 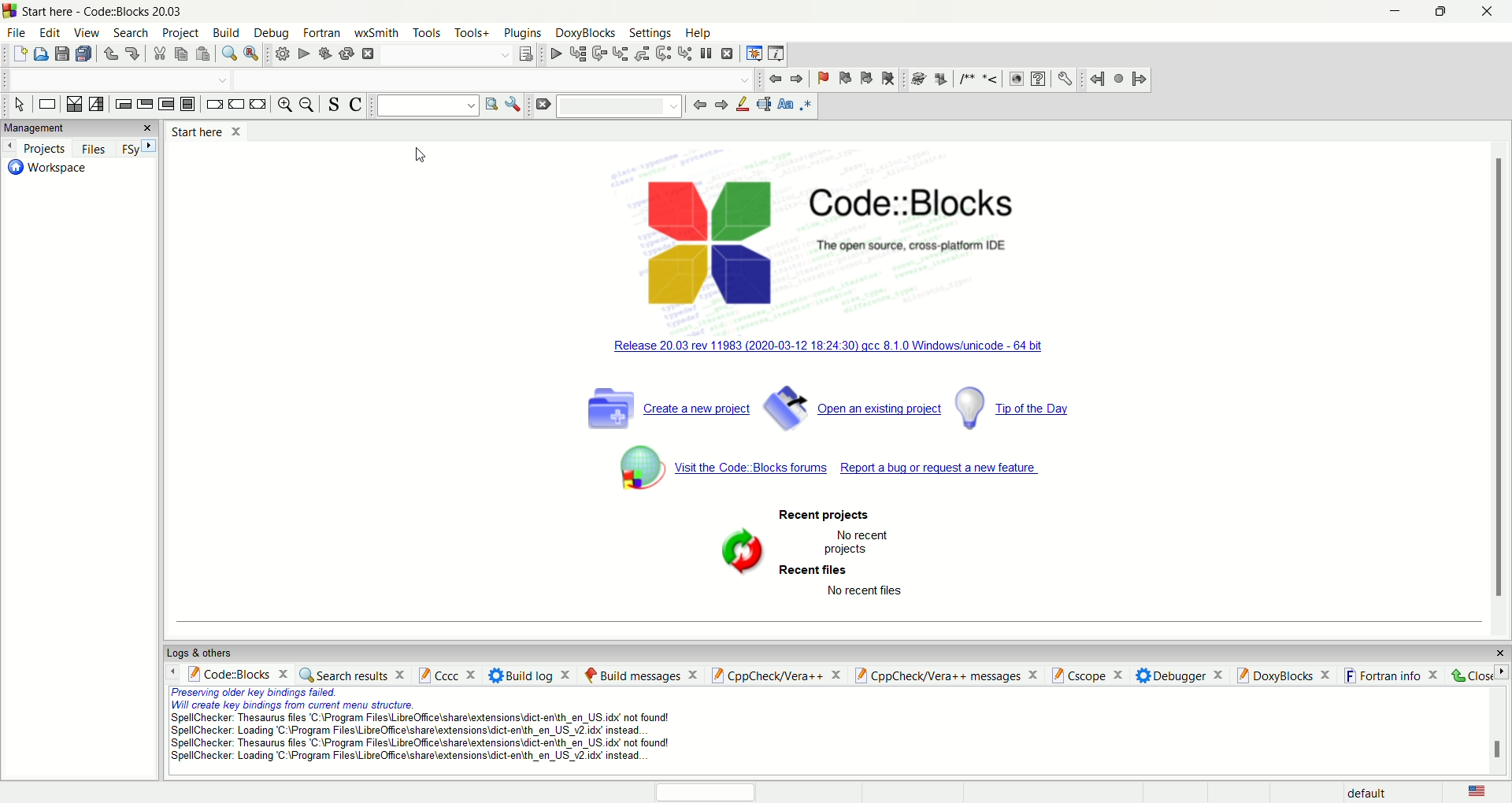 What do you see at coordinates (324, 54) in the screenshot?
I see `rebuild and run` at bounding box center [324, 54].